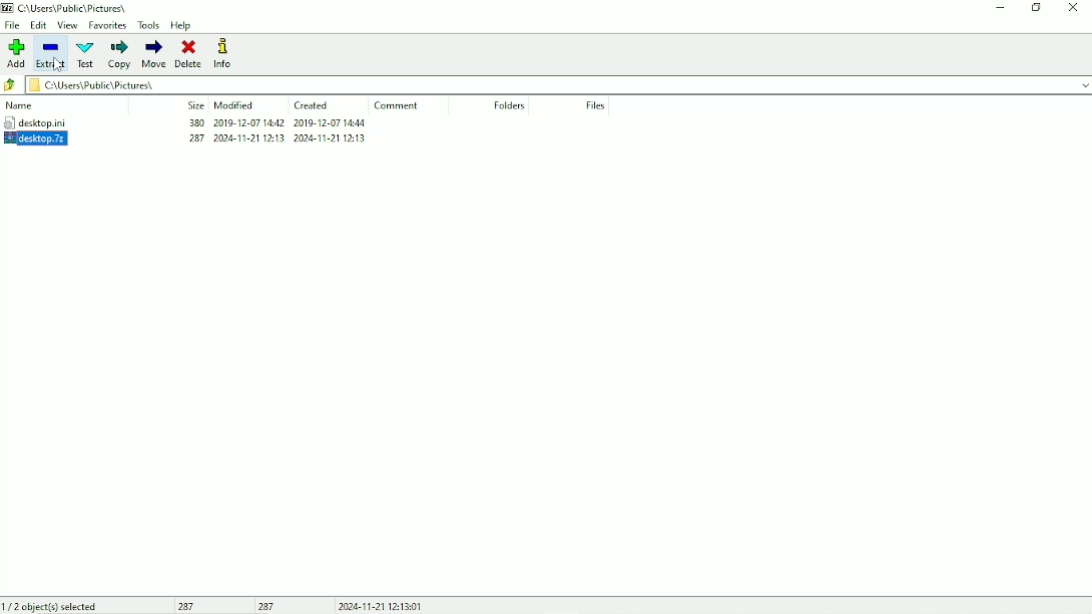 This screenshot has width=1092, height=614. Describe the element at coordinates (383, 606) in the screenshot. I see `Date and Time` at that location.